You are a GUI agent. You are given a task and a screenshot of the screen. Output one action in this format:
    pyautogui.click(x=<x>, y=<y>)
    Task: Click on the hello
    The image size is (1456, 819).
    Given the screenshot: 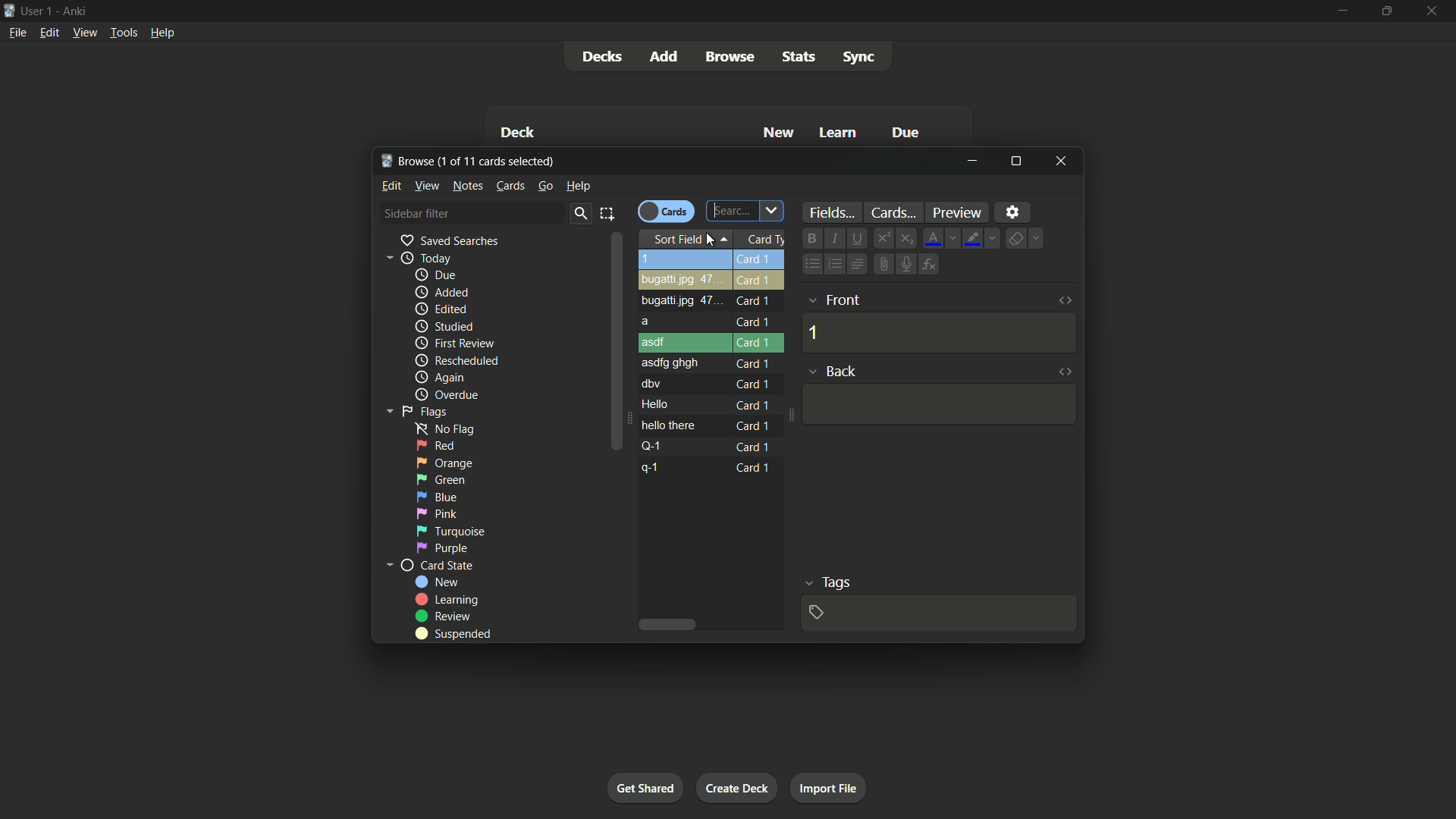 What is the action you would take?
    pyautogui.click(x=655, y=404)
    